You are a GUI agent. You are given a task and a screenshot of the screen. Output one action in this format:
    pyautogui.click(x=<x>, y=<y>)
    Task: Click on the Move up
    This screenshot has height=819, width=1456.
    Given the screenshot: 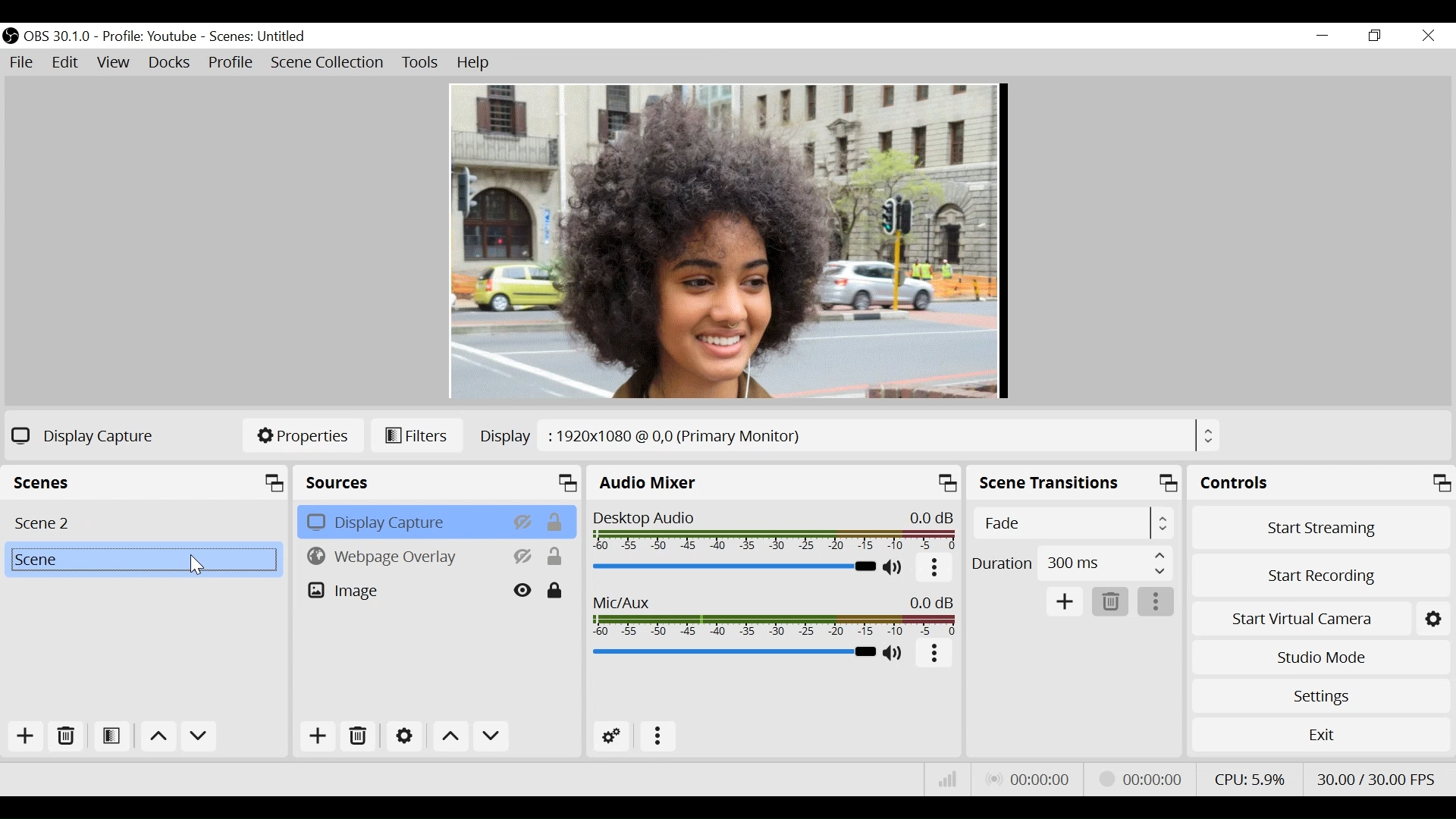 What is the action you would take?
    pyautogui.click(x=157, y=738)
    